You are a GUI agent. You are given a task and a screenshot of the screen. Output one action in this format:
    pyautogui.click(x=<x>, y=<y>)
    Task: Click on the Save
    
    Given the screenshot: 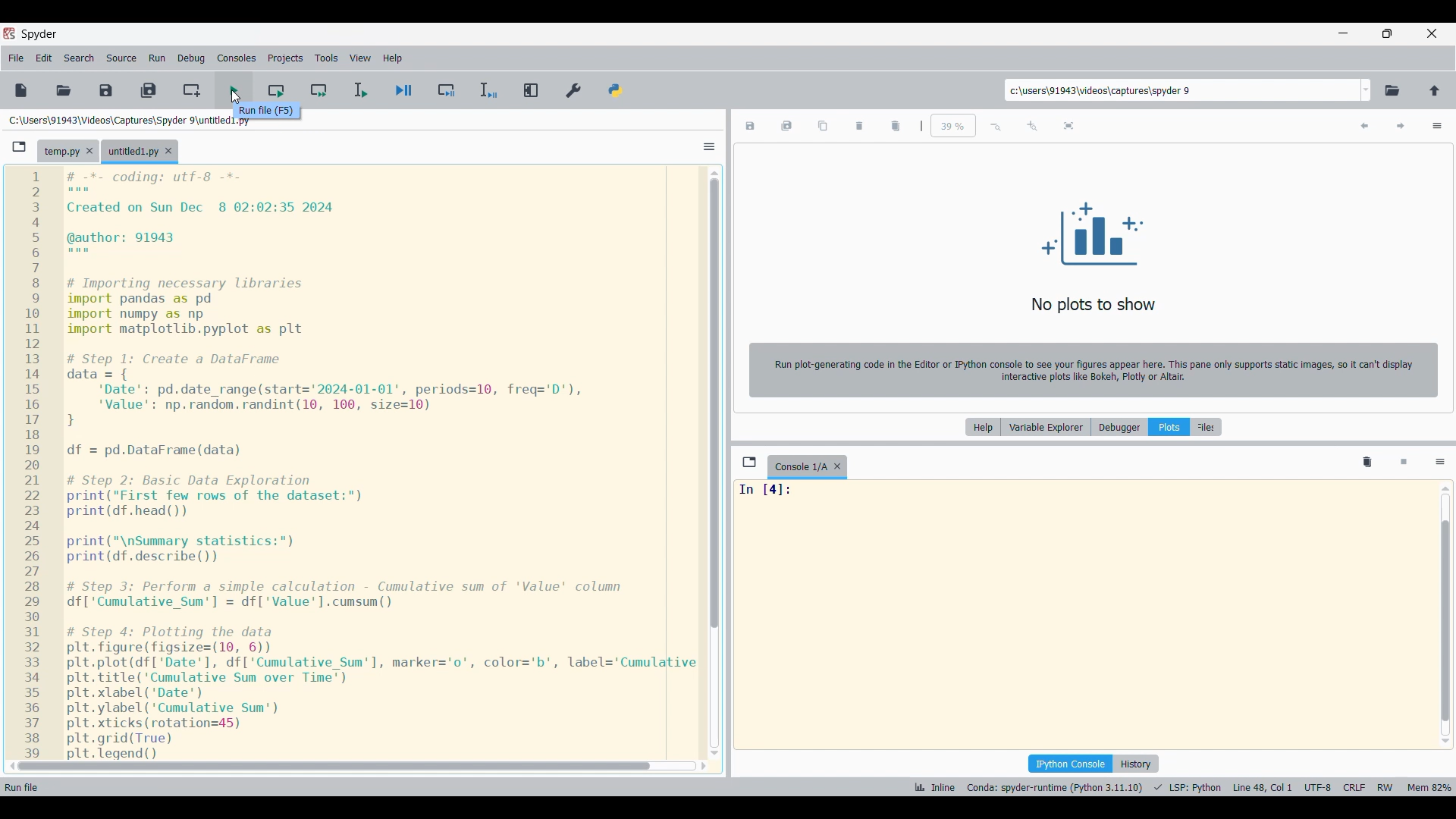 What is the action you would take?
    pyautogui.click(x=105, y=89)
    